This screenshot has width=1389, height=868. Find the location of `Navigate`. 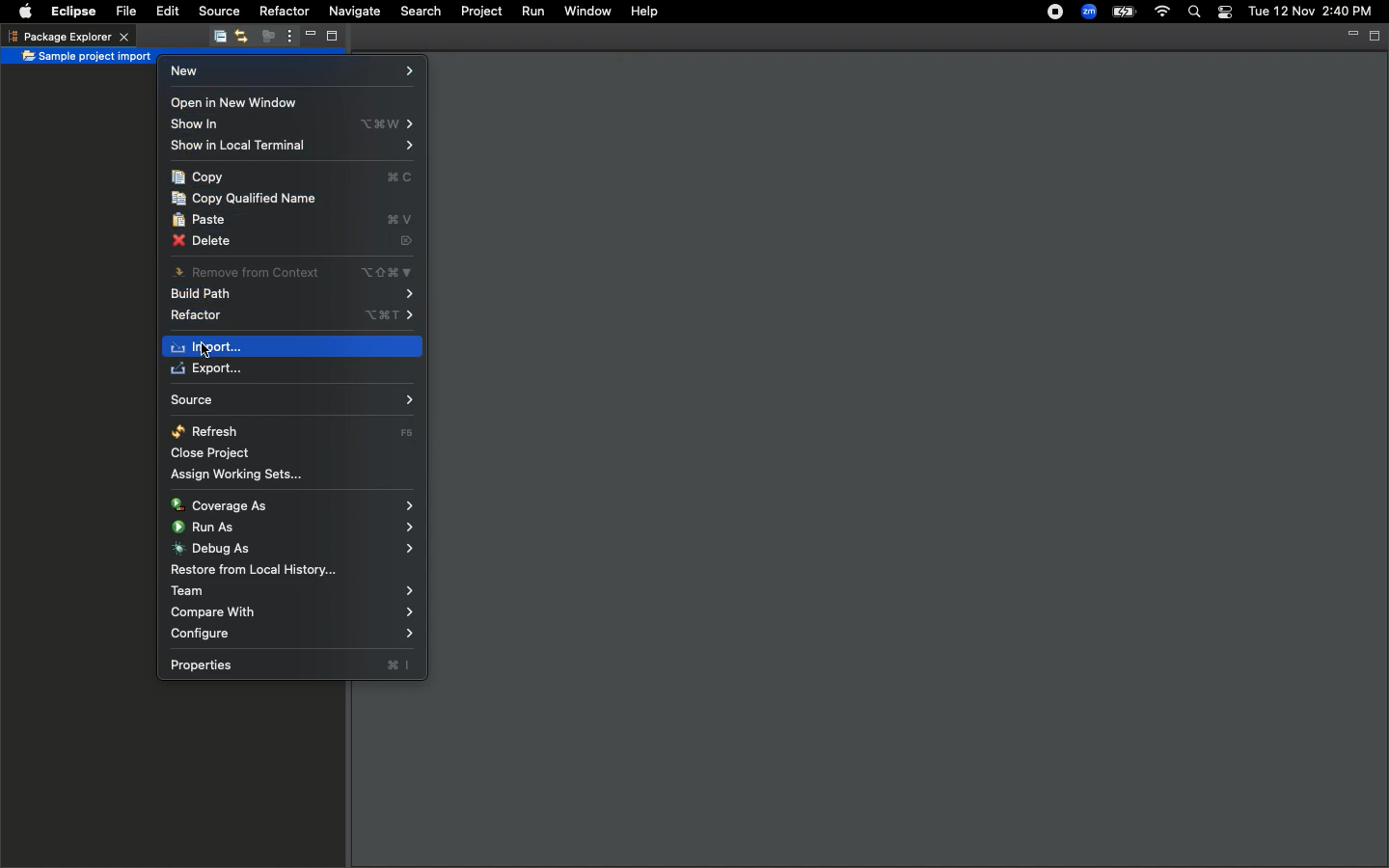

Navigate is located at coordinates (352, 14).